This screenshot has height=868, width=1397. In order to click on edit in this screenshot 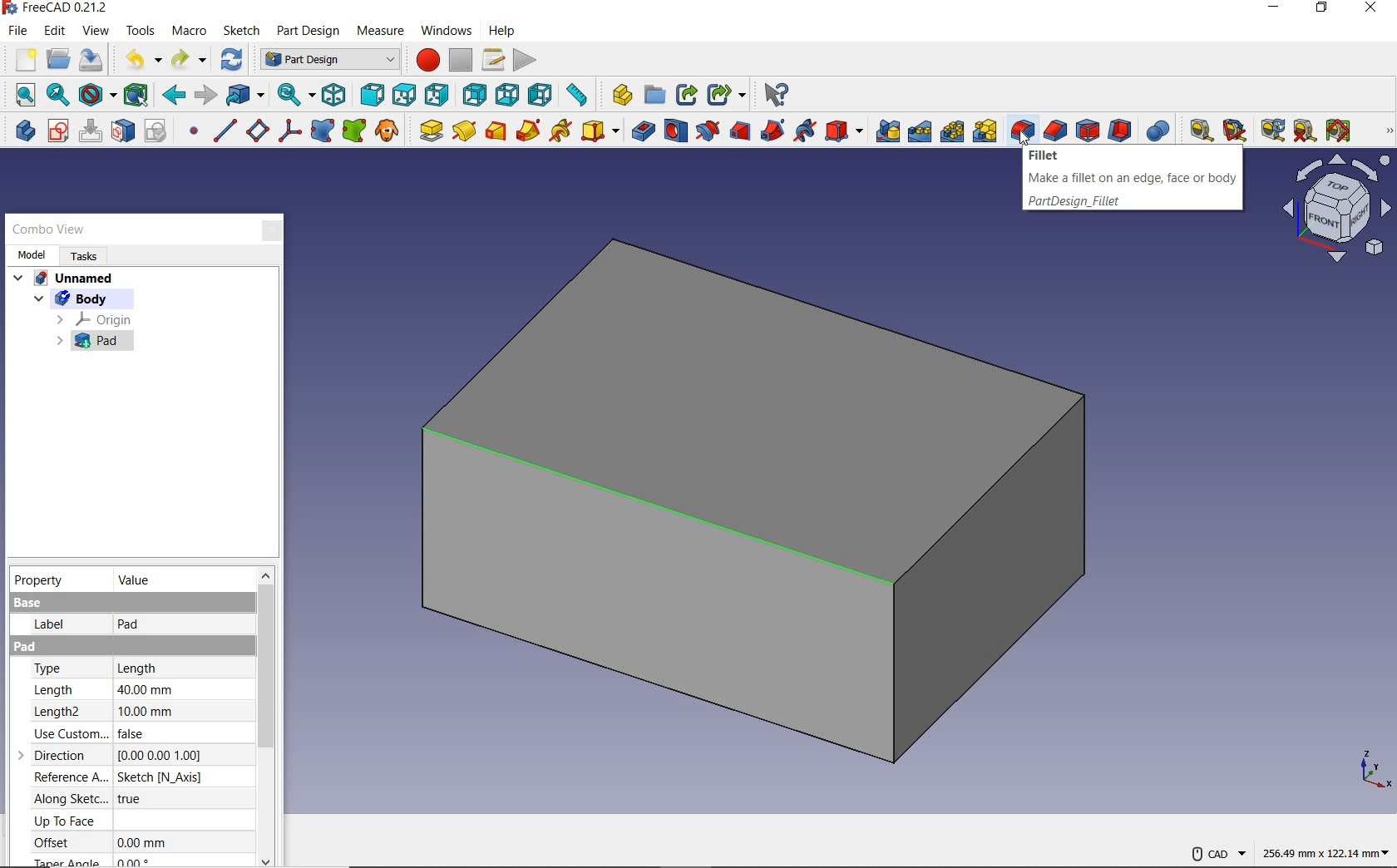, I will do `click(55, 32)`.